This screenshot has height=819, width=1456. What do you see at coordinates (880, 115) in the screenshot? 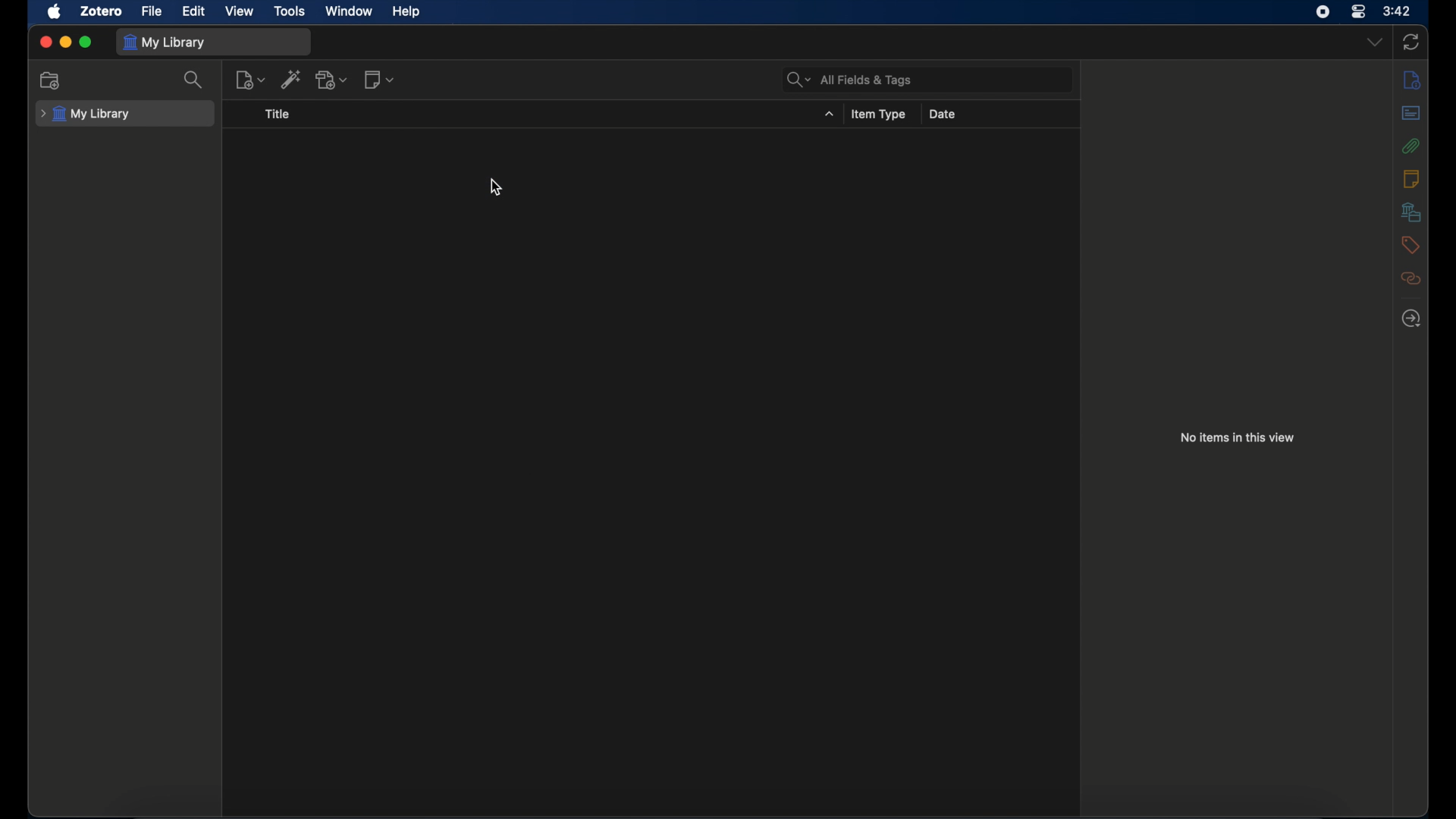
I see `item type` at bounding box center [880, 115].